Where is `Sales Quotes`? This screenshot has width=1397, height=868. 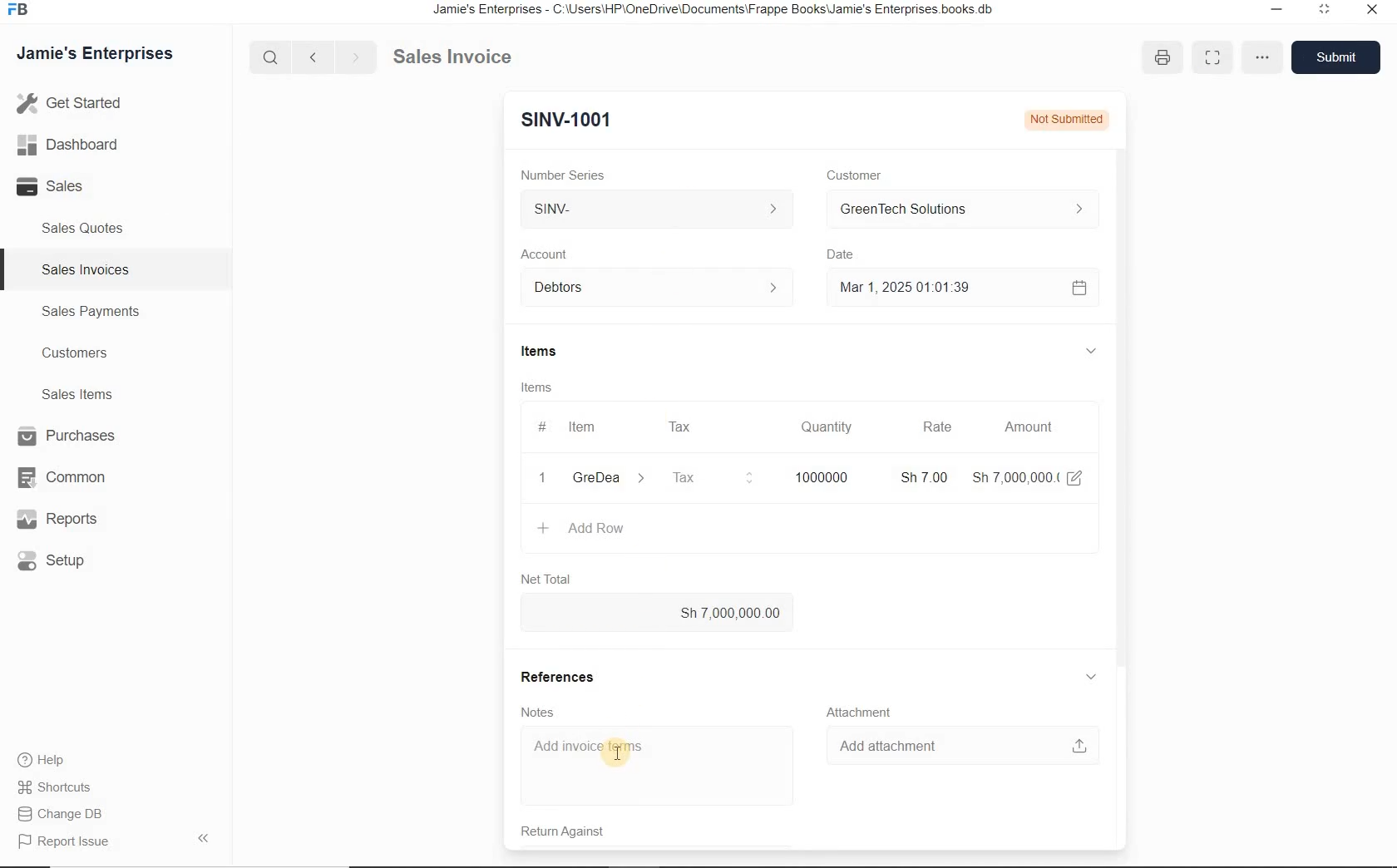 Sales Quotes is located at coordinates (84, 231).